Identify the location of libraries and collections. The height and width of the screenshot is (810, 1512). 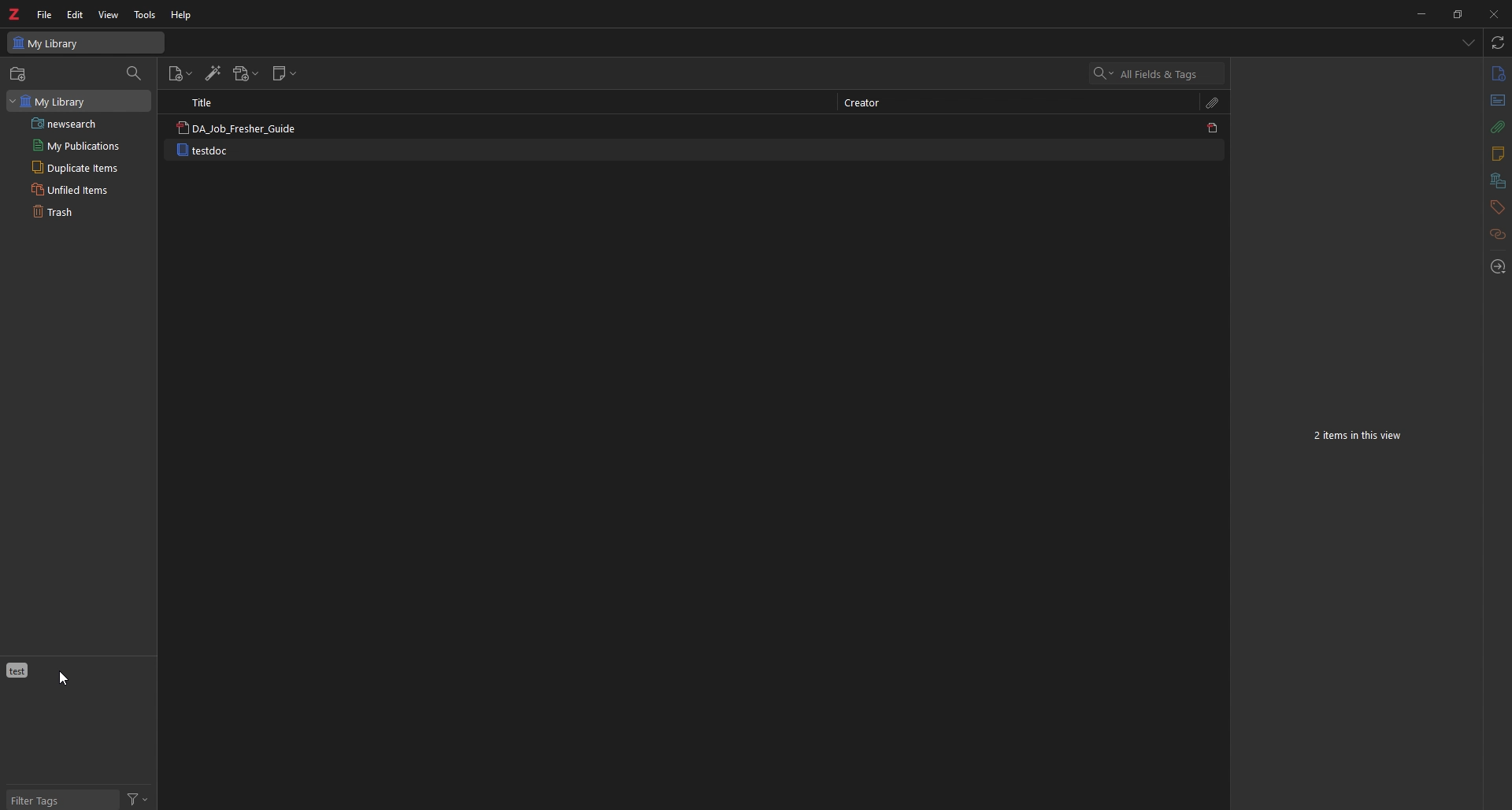
(1497, 181).